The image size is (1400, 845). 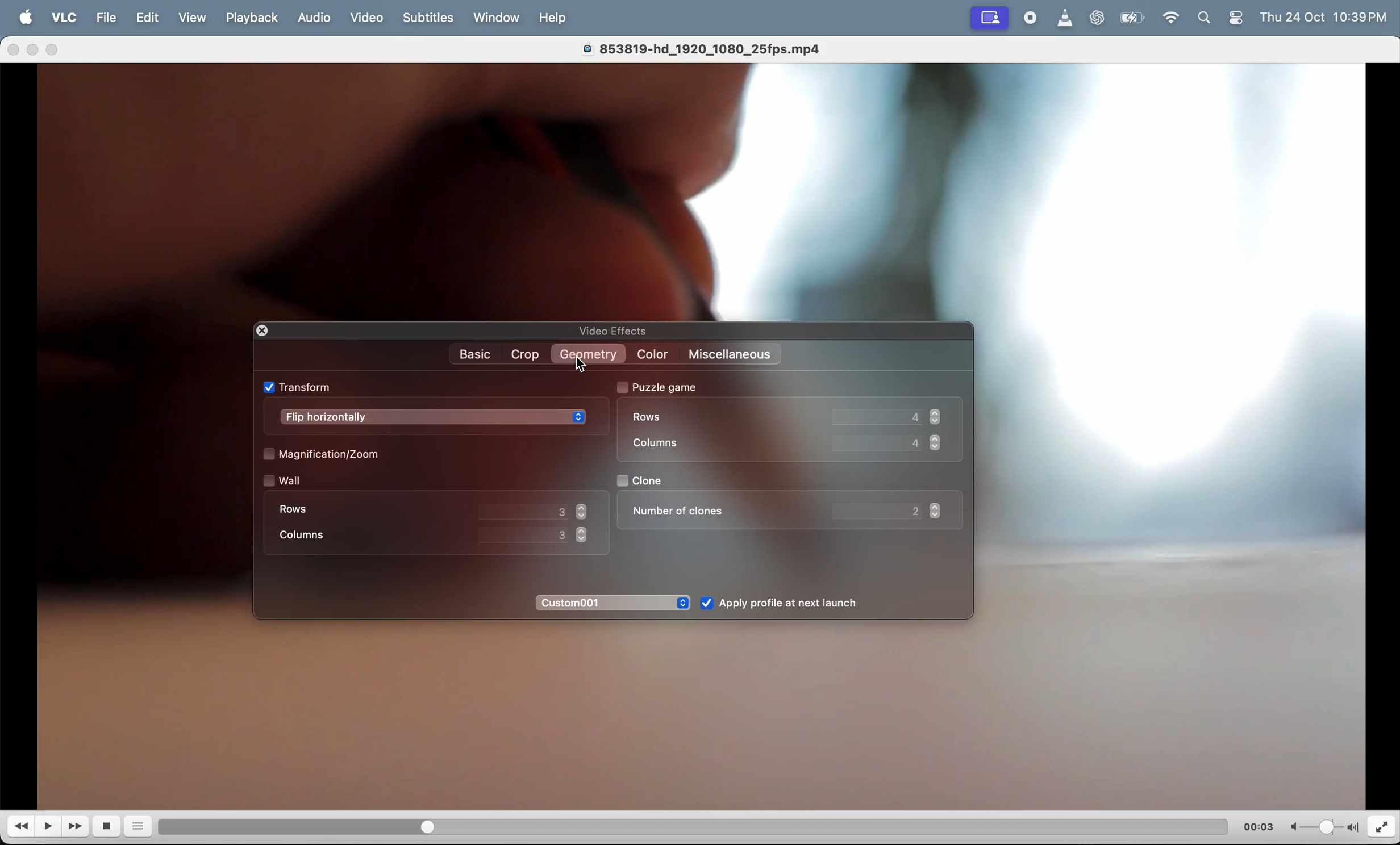 I want to click on recording window, so click(x=991, y=16).